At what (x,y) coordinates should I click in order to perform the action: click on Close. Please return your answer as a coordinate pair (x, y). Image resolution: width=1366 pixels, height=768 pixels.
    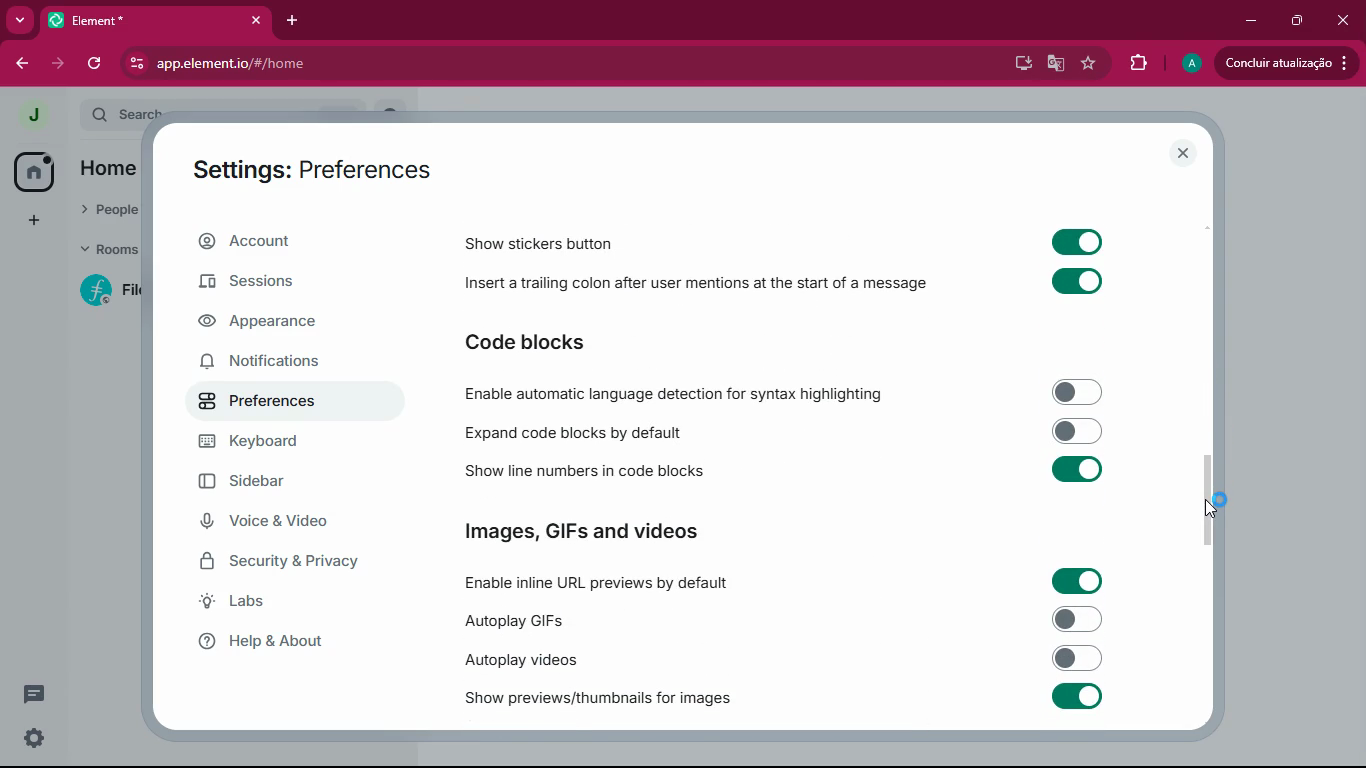
    Looking at the image, I should click on (1183, 153).